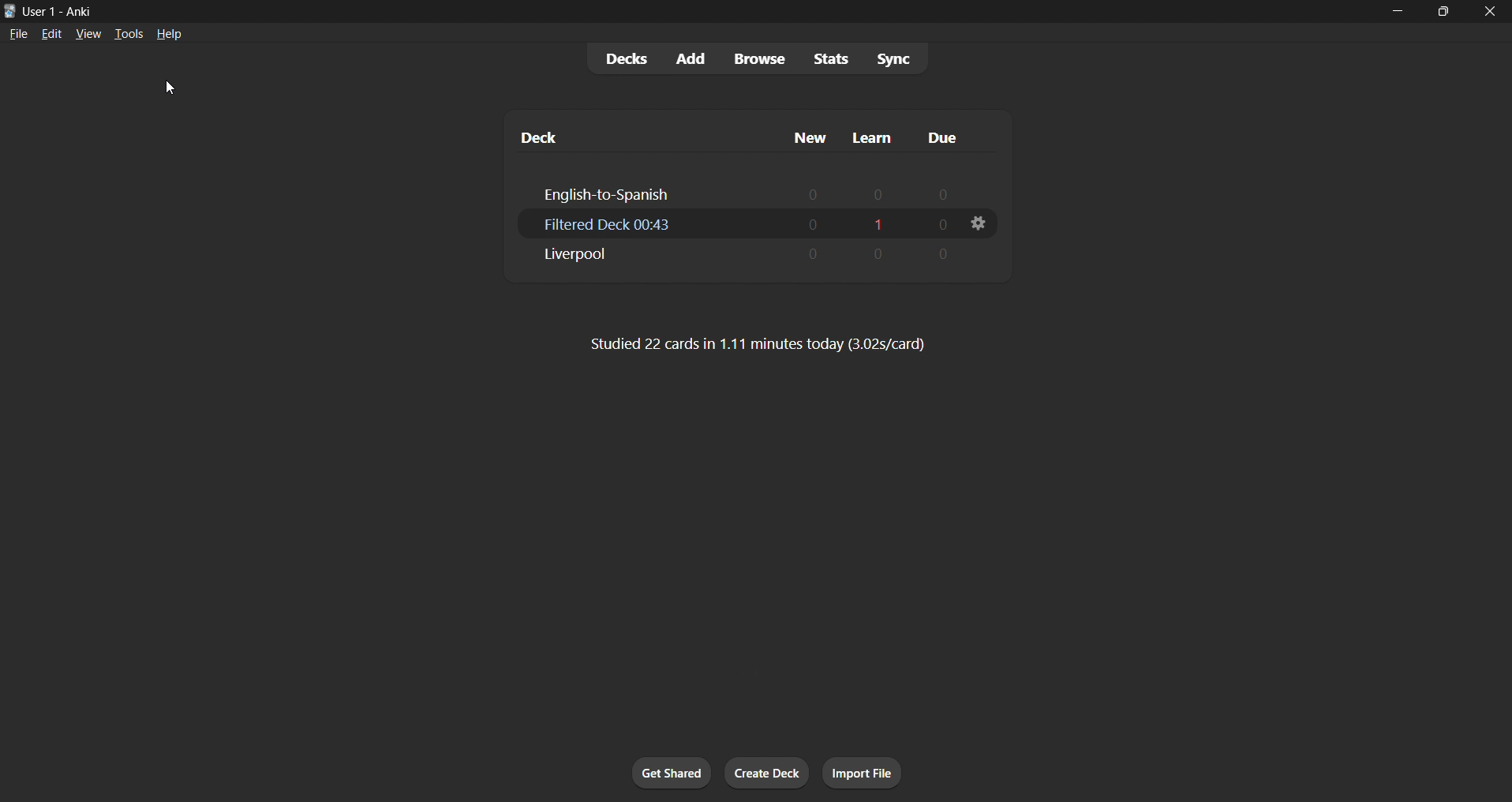 The image size is (1512, 802). Describe the element at coordinates (764, 776) in the screenshot. I see `create deck` at that location.